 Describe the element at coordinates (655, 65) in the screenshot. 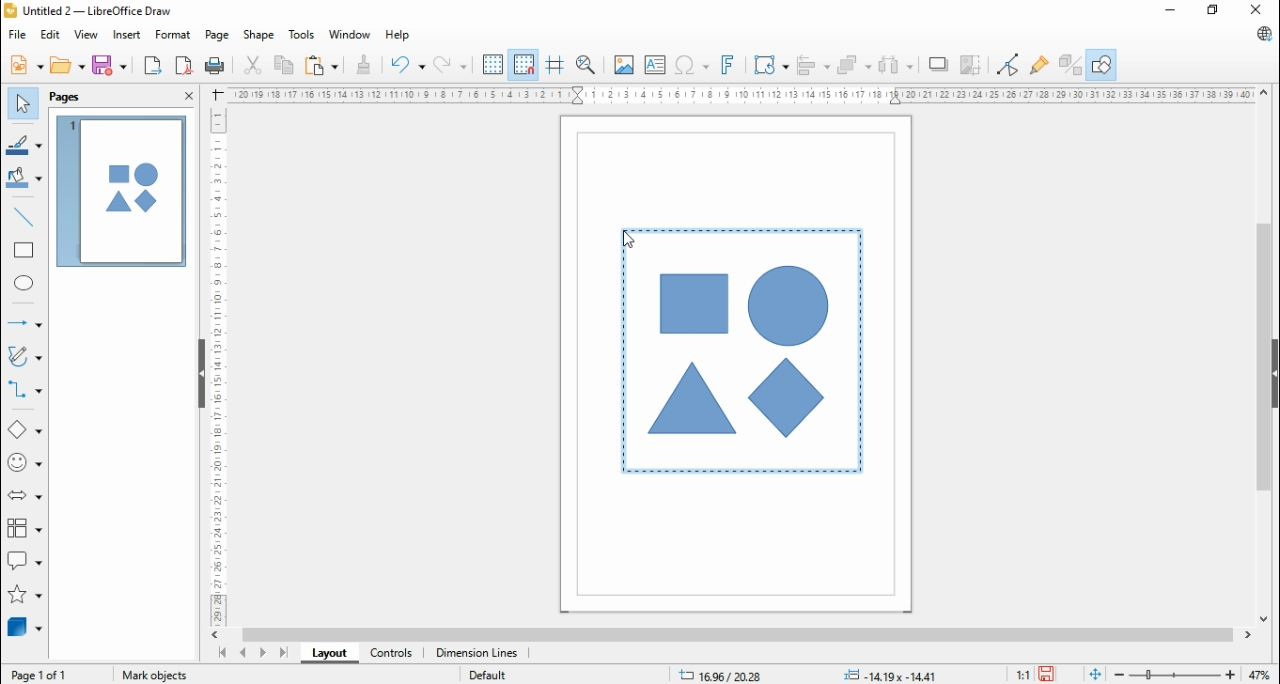

I see `insert textbox` at that location.